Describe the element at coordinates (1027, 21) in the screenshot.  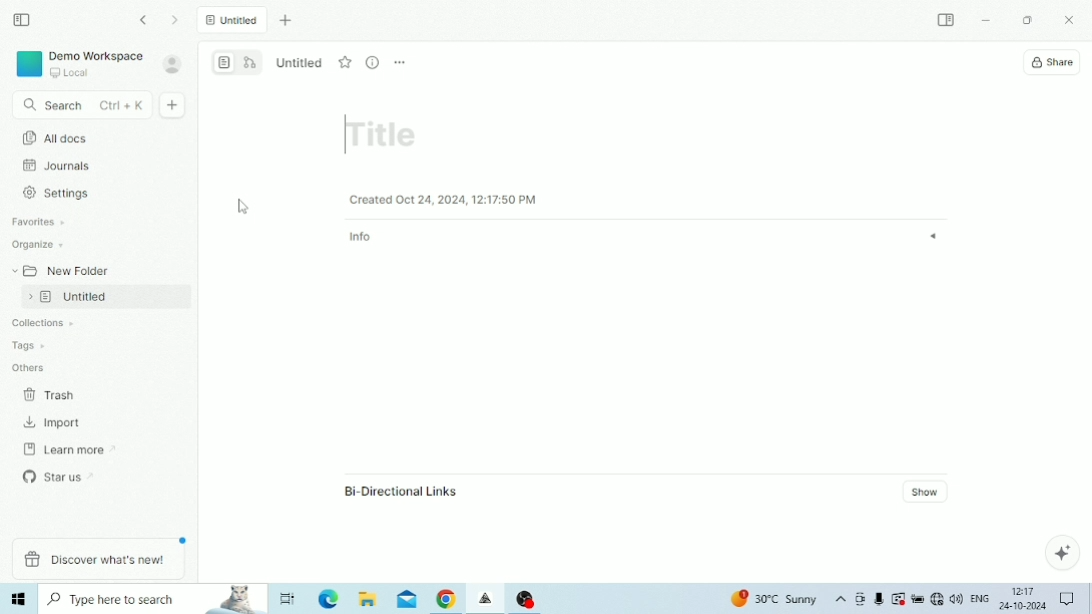
I see `Restore Down` at that location.